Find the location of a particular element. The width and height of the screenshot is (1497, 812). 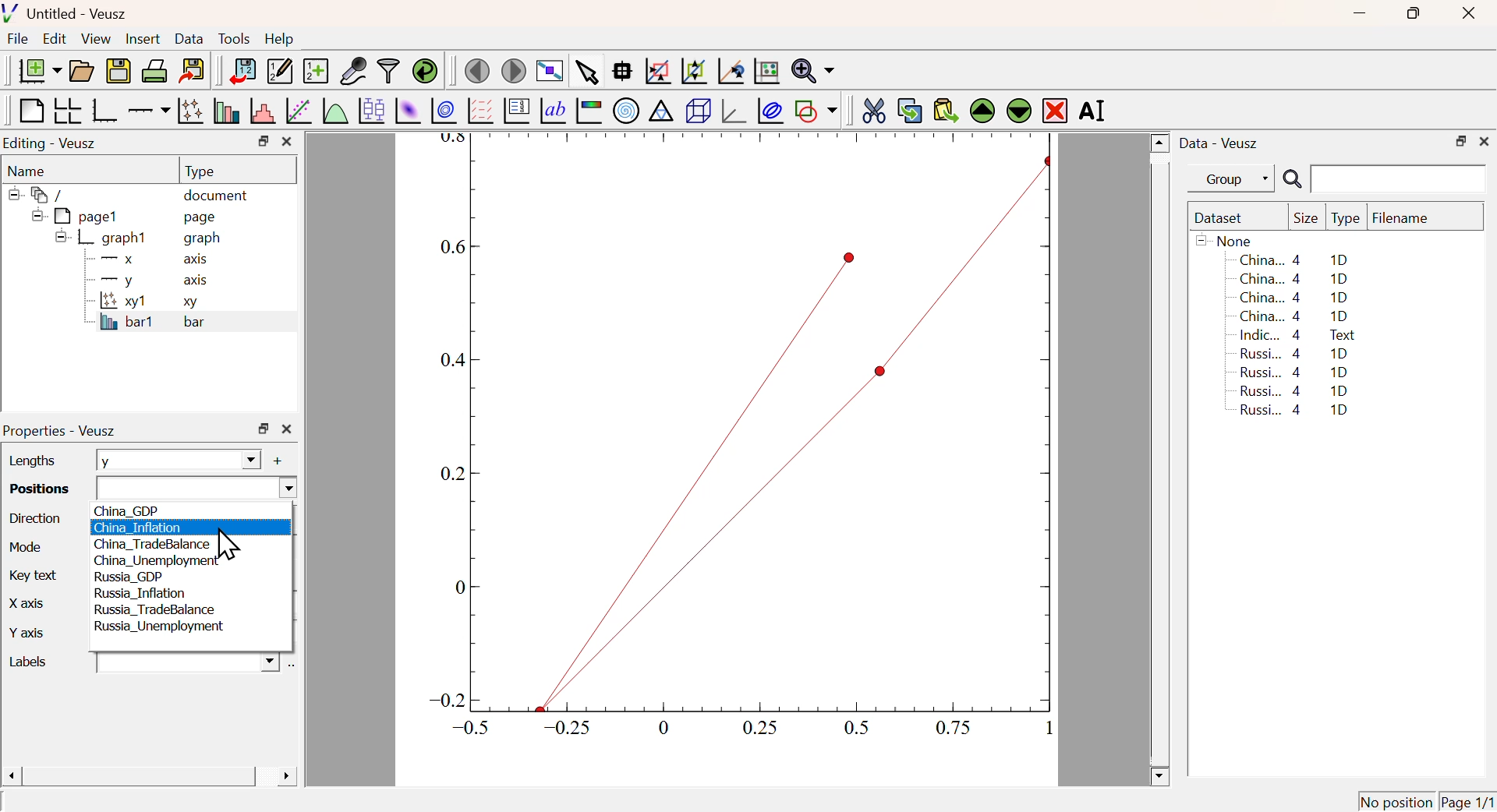

Zoom function menu is located at coordinates (813, 69).